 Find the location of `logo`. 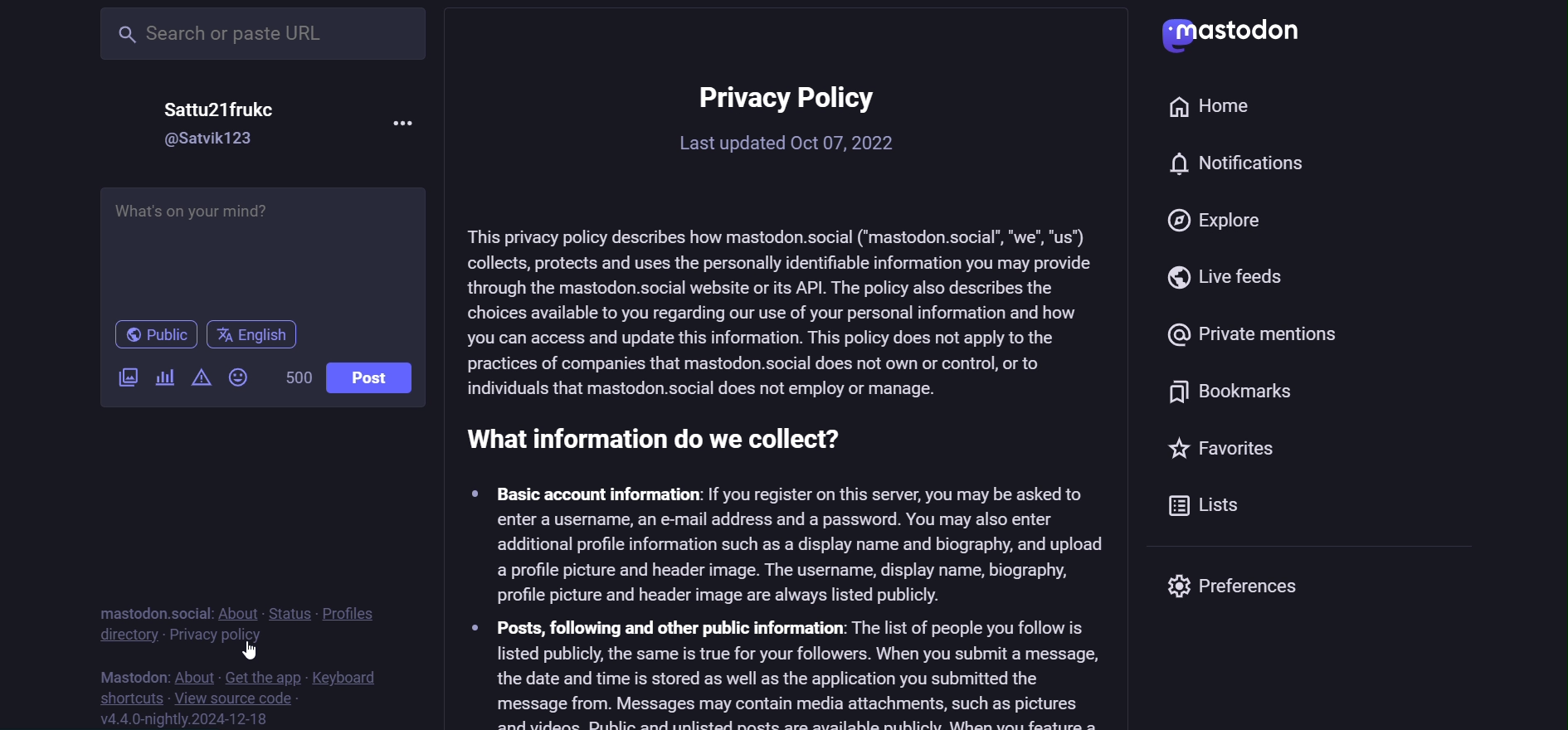

logo is located at coordinates (1244, 34).